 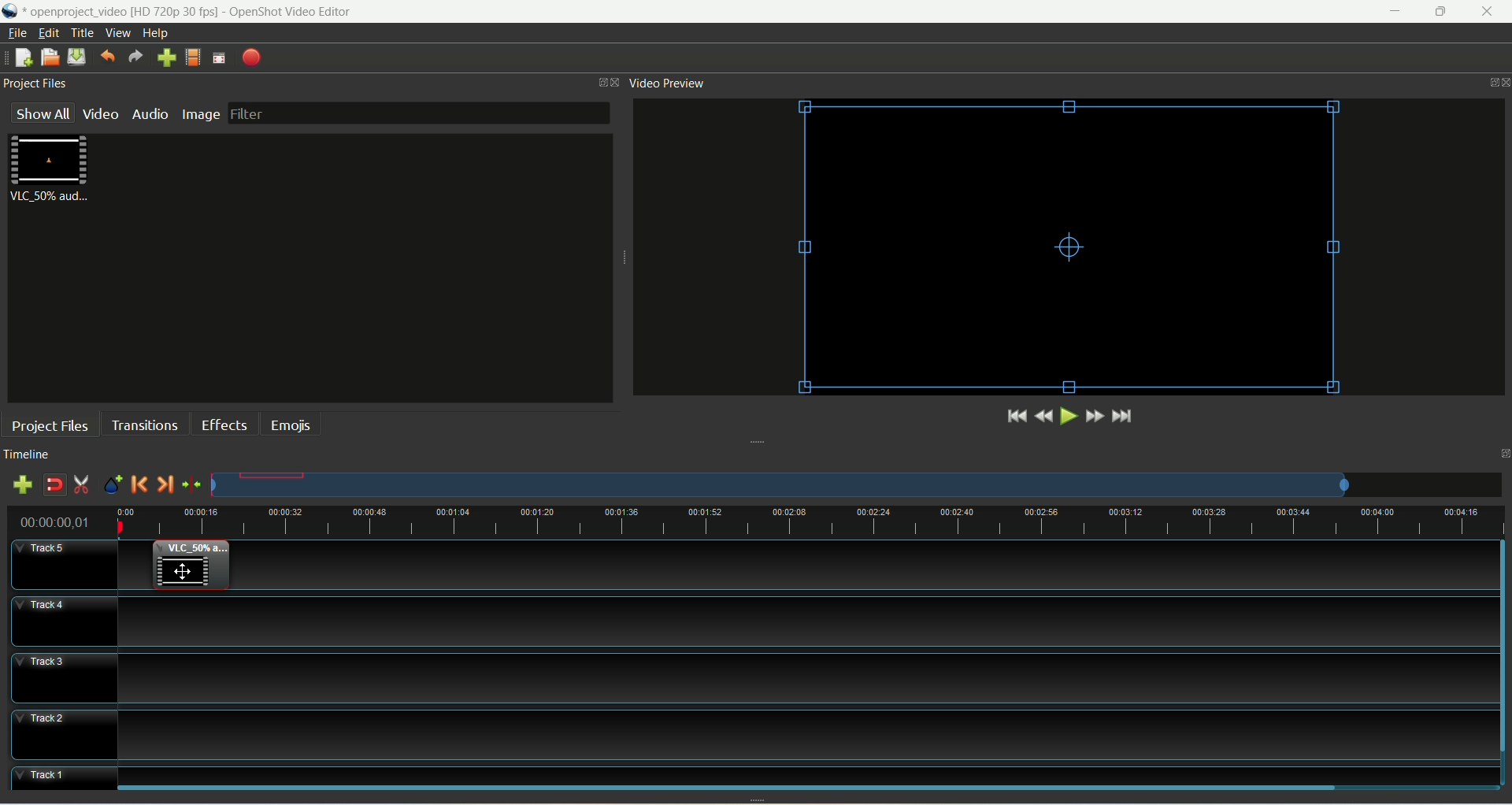 What do you see at coordinates (119, 32) in the screenshot?
I see `view` at bounding box center [119, 32].